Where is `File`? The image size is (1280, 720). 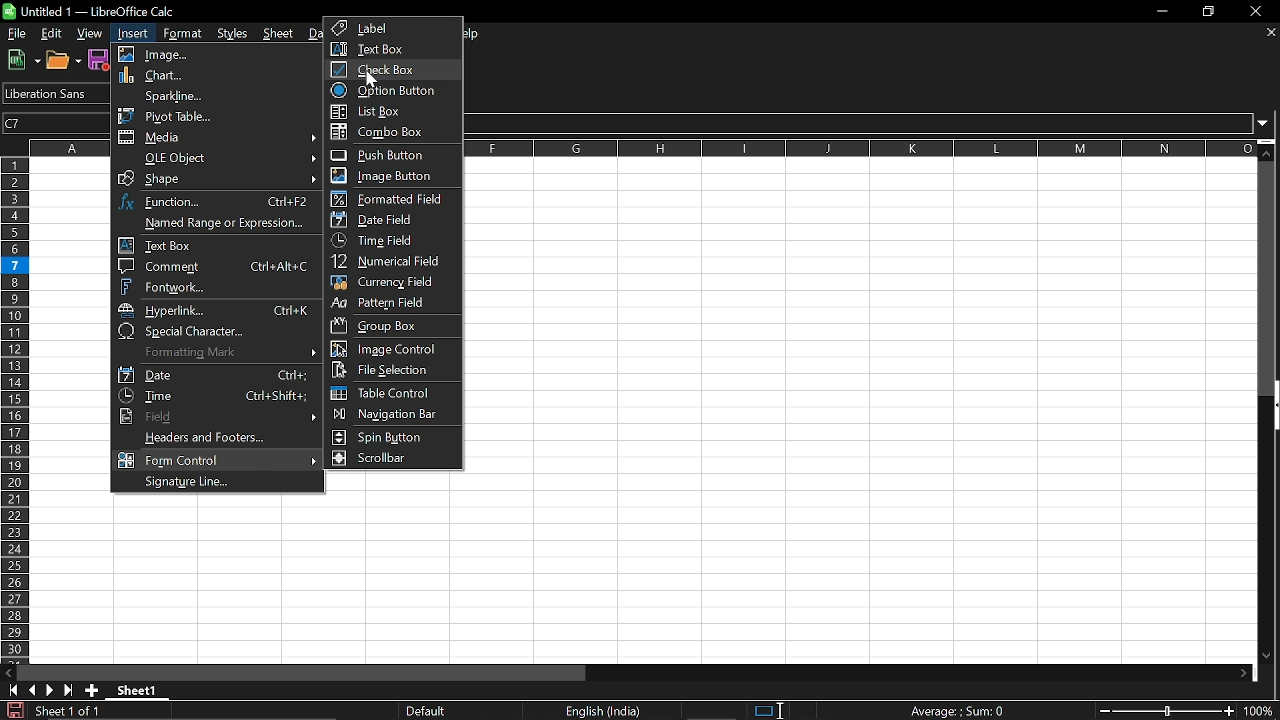
File is located at coordinates (16, 33).